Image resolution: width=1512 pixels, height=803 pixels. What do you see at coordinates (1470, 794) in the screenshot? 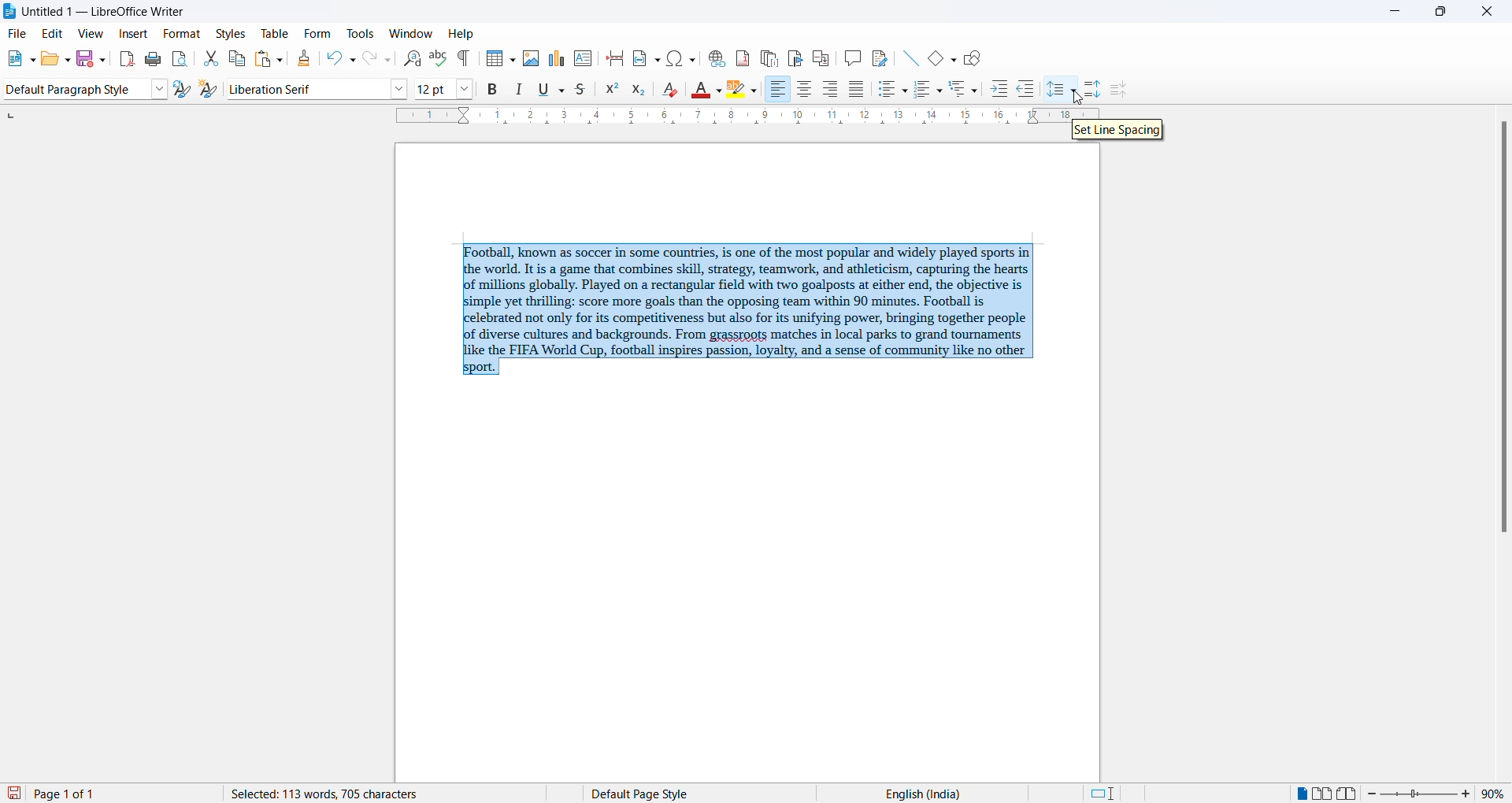
I see `increase zoom` at bounding box center [1470, 794].